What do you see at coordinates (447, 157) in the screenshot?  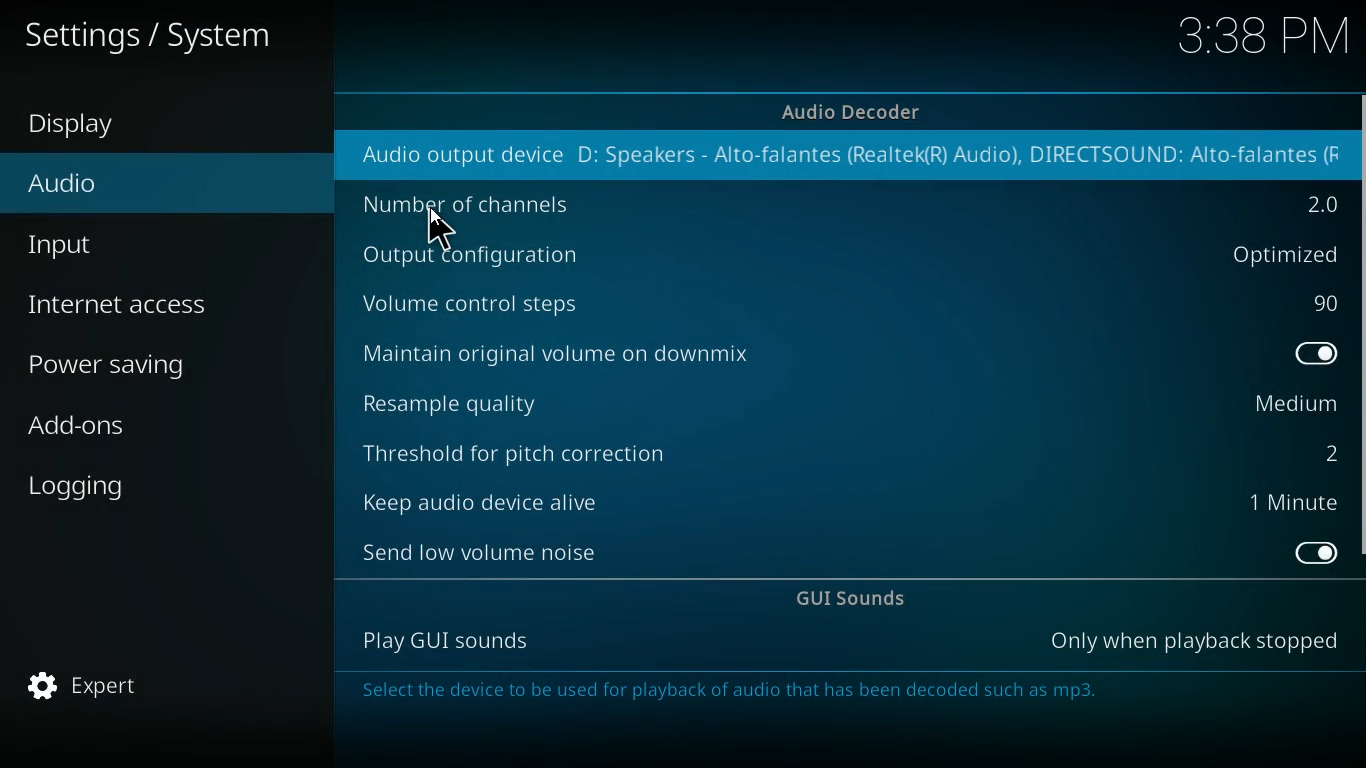 I see `audio output device` at bounding box center [447, 157].